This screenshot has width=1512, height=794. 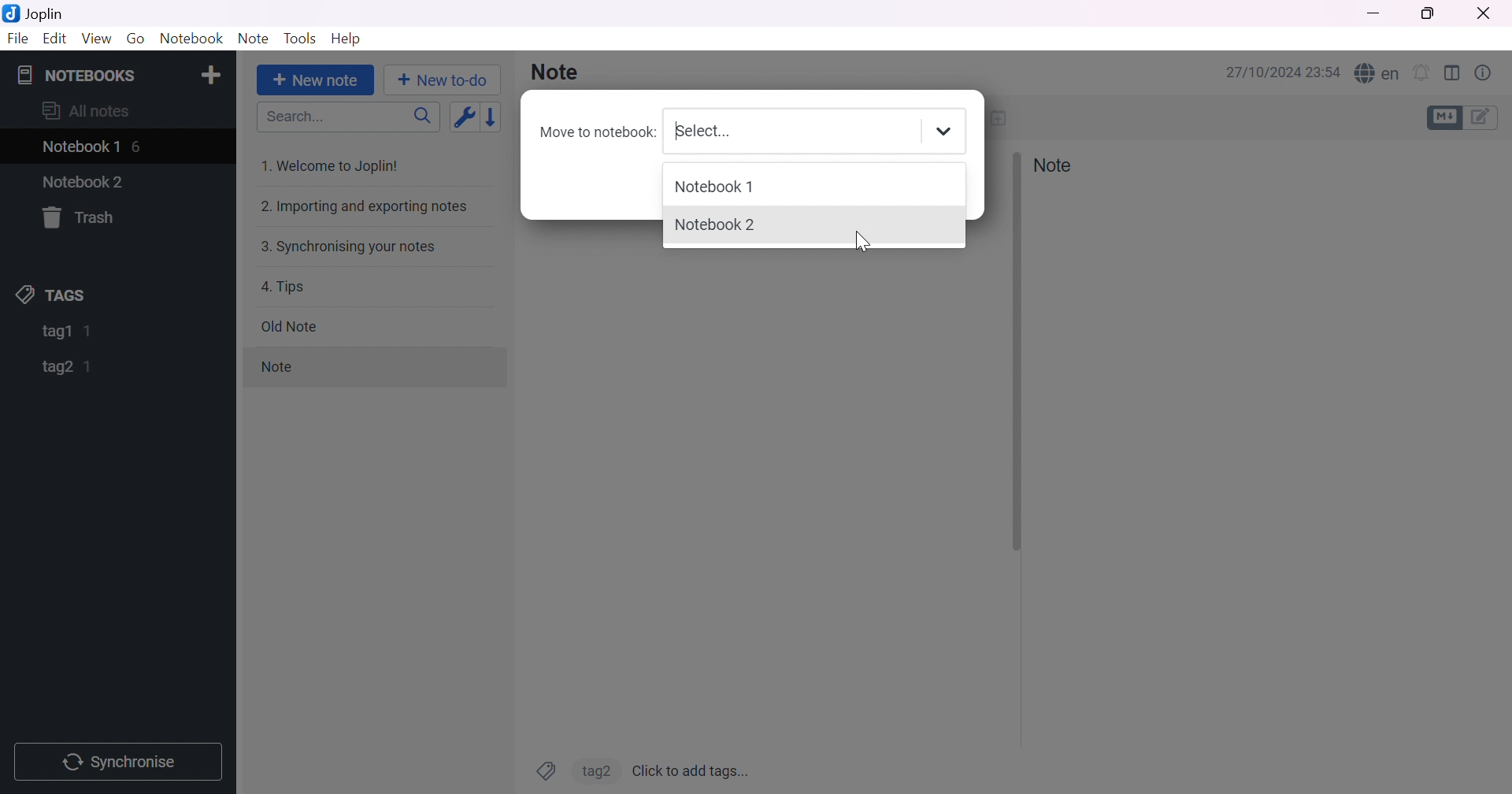 I want to click on 3. Synchronising your notes, so click(x=346, y=248).